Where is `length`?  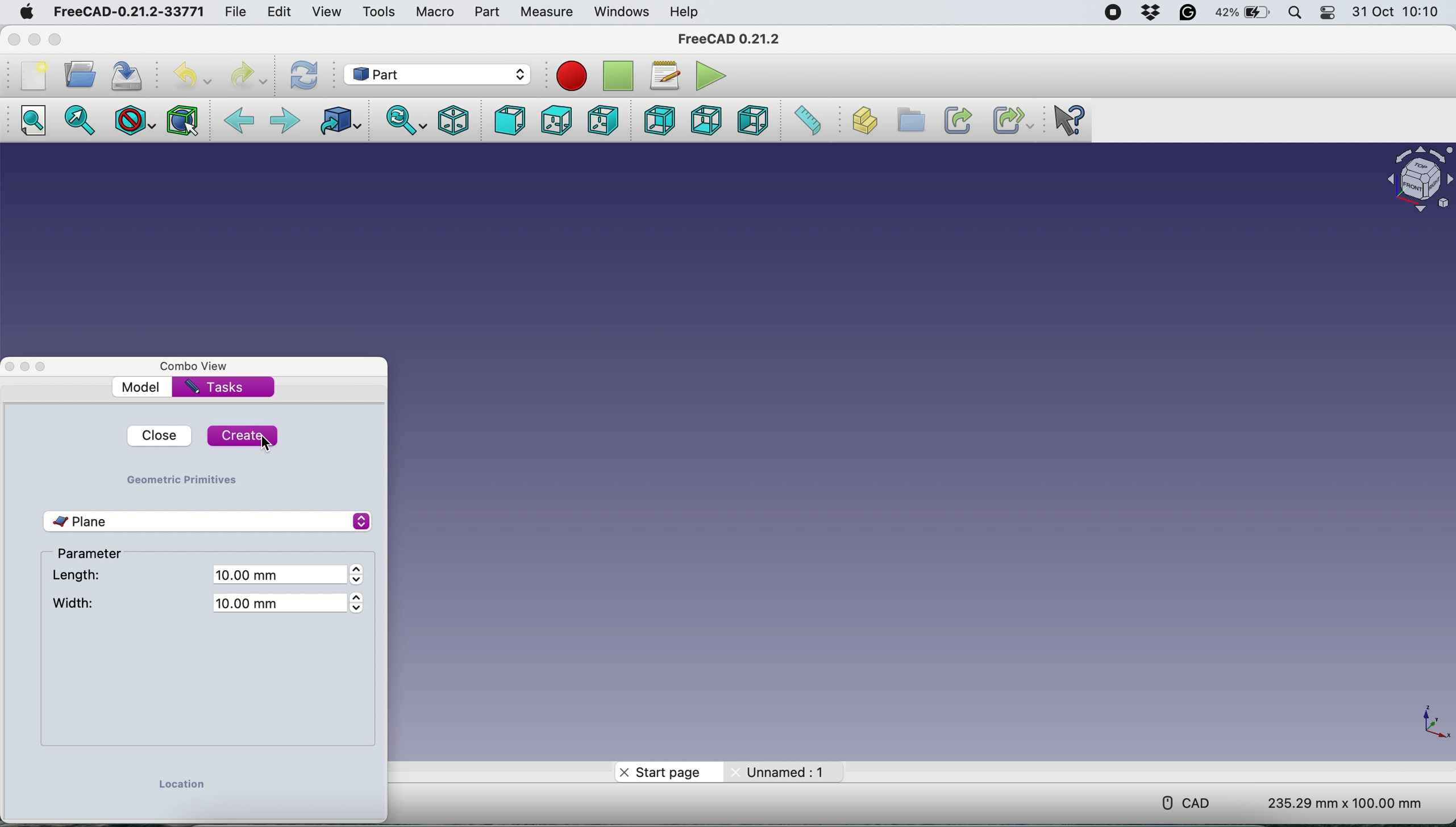 length is located at coordinates (77, 577).